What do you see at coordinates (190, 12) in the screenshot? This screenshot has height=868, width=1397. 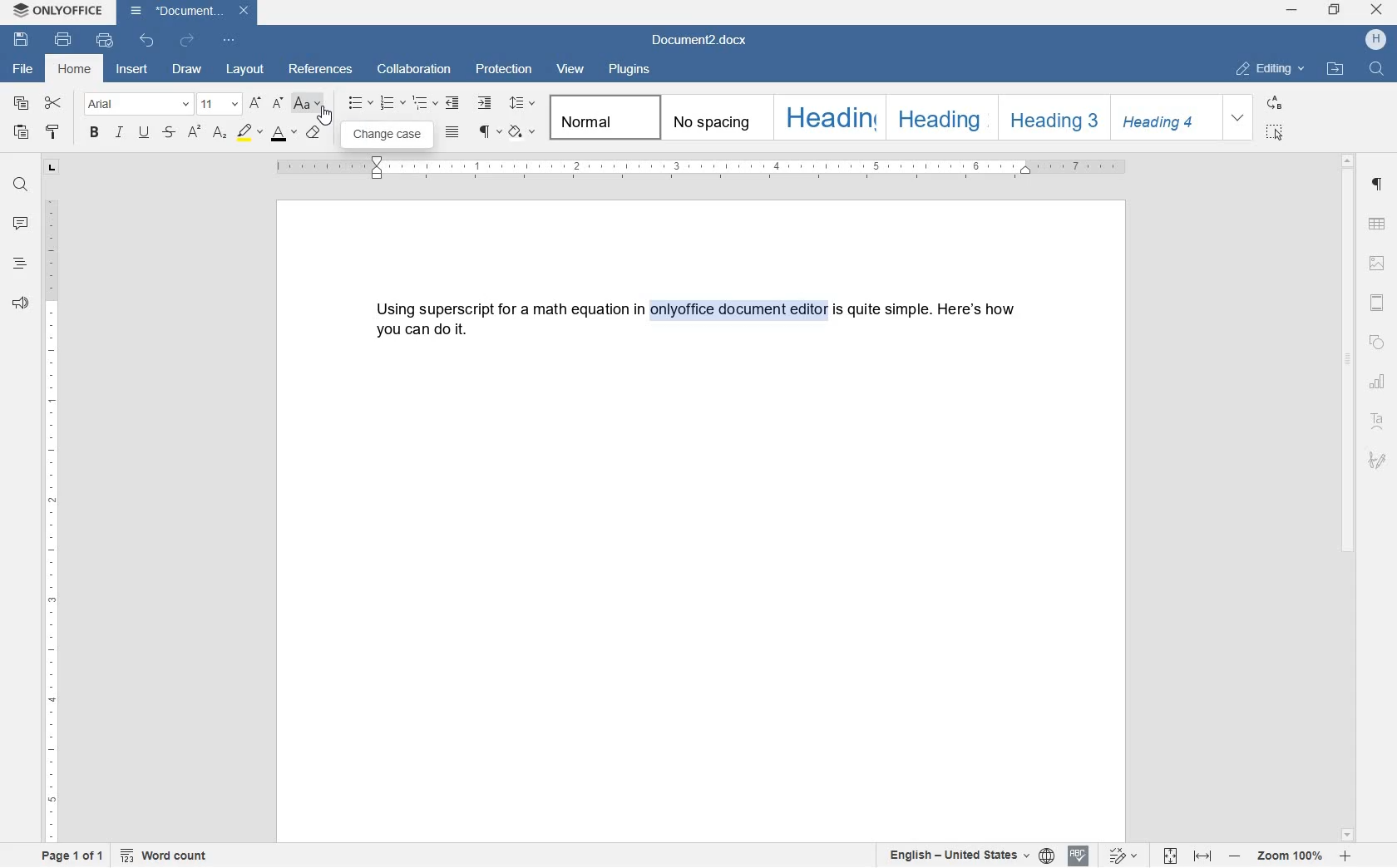 I see `Document2.docx` at bounding box center [190, 12].